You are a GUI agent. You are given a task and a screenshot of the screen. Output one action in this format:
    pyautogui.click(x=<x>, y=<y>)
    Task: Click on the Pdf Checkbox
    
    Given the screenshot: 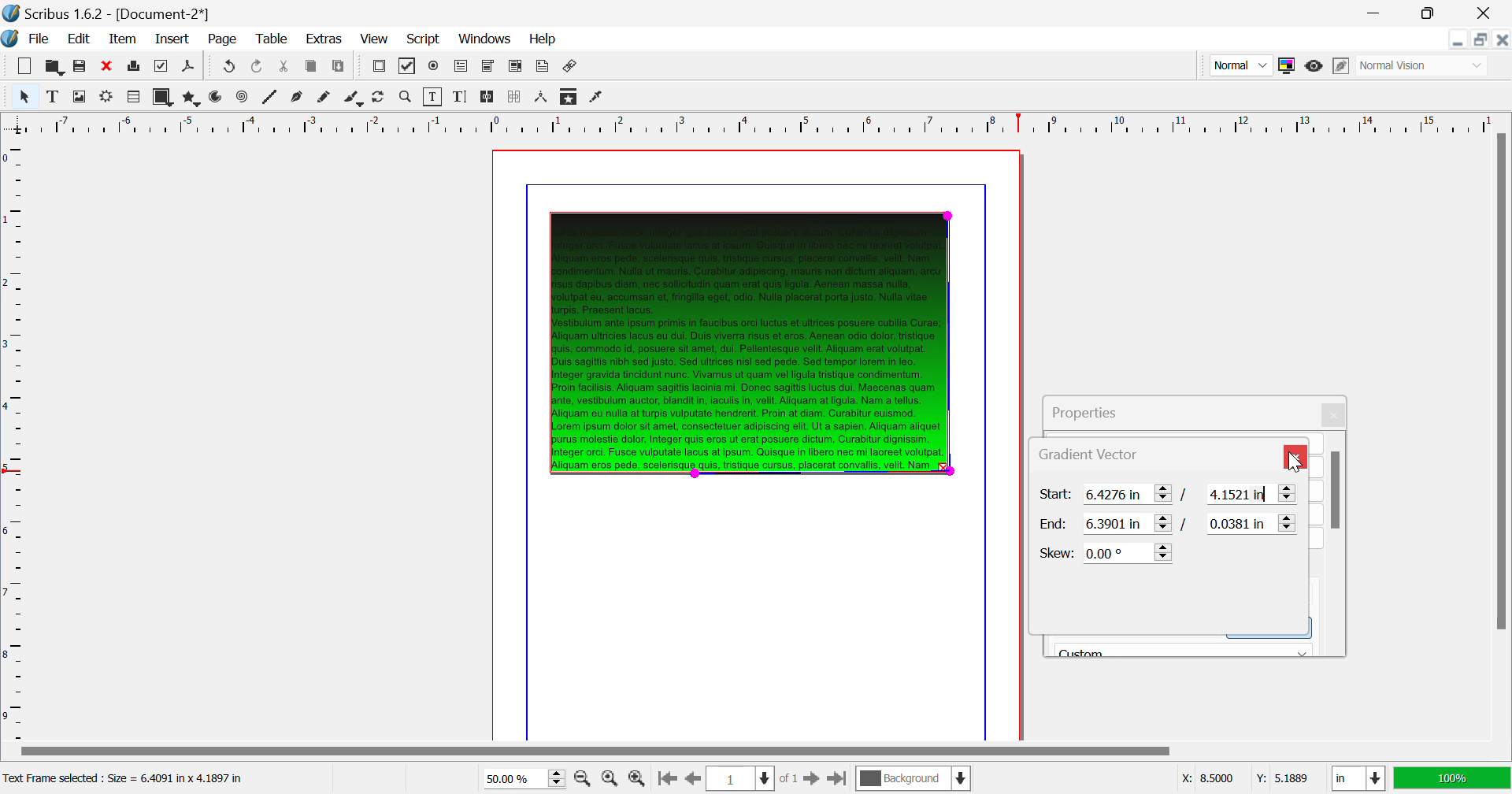 What is the action you would take?
    pyautogui.click(x=408, y=69)
    